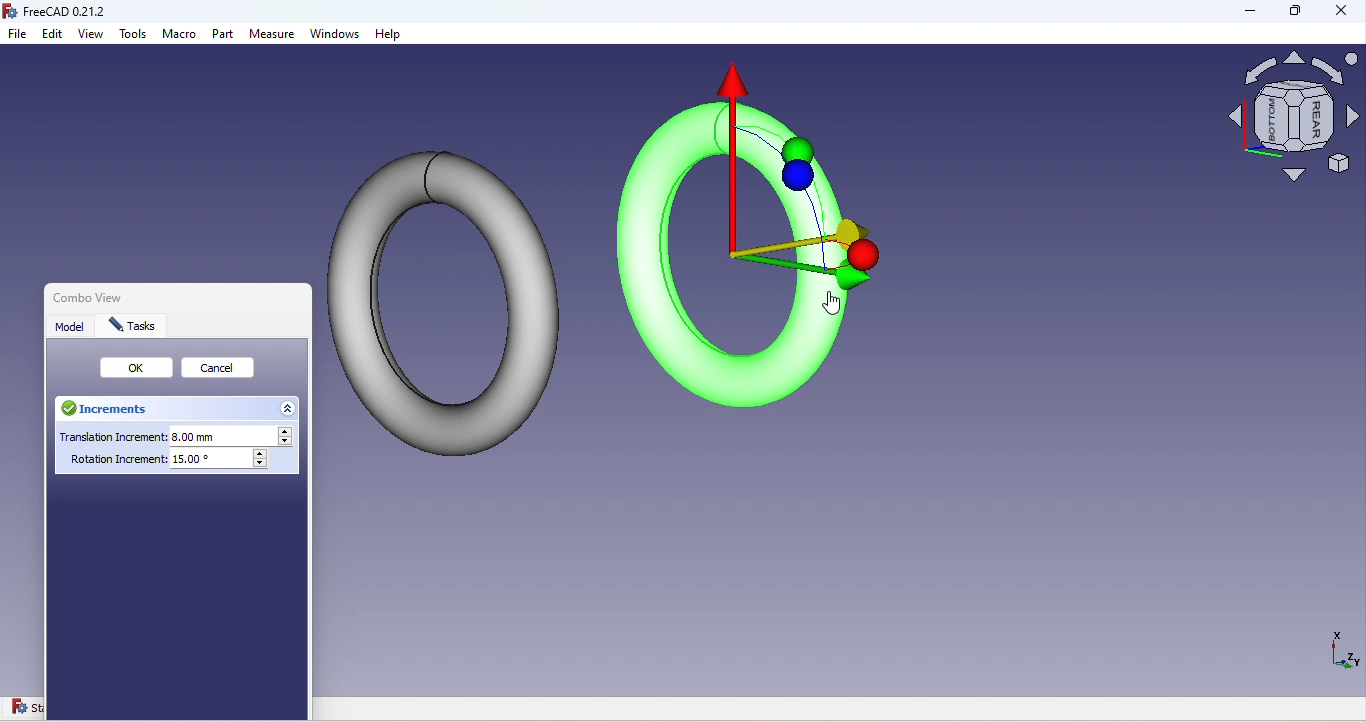 This screenshot has width=1366, height=722. I want to click on Macro, so click(180, 37).